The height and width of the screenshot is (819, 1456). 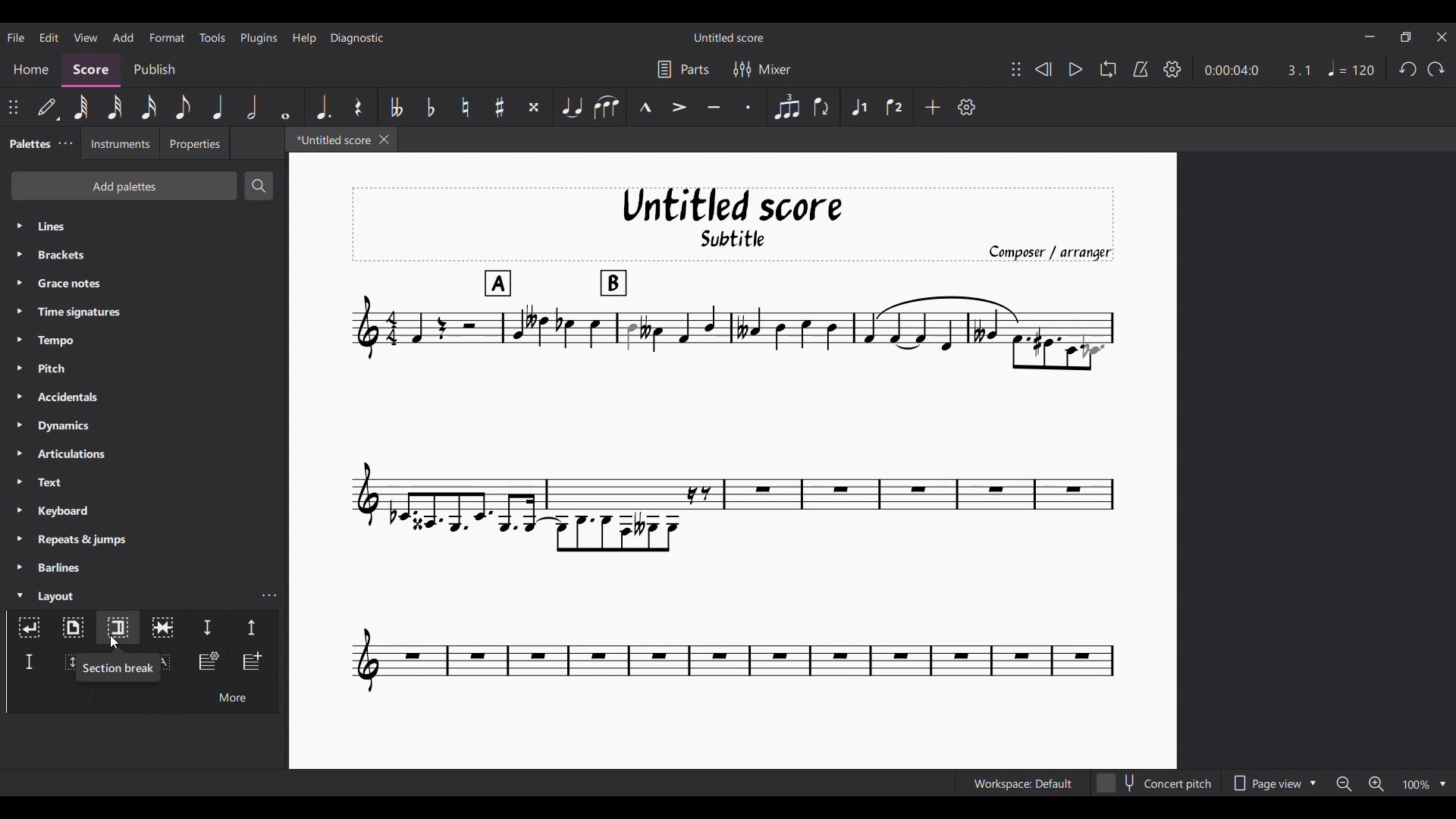 What do you see at coordinates (91, 70) in the screenshot?
I see `Score, current section highlighted` at bounding box center [91, 70].